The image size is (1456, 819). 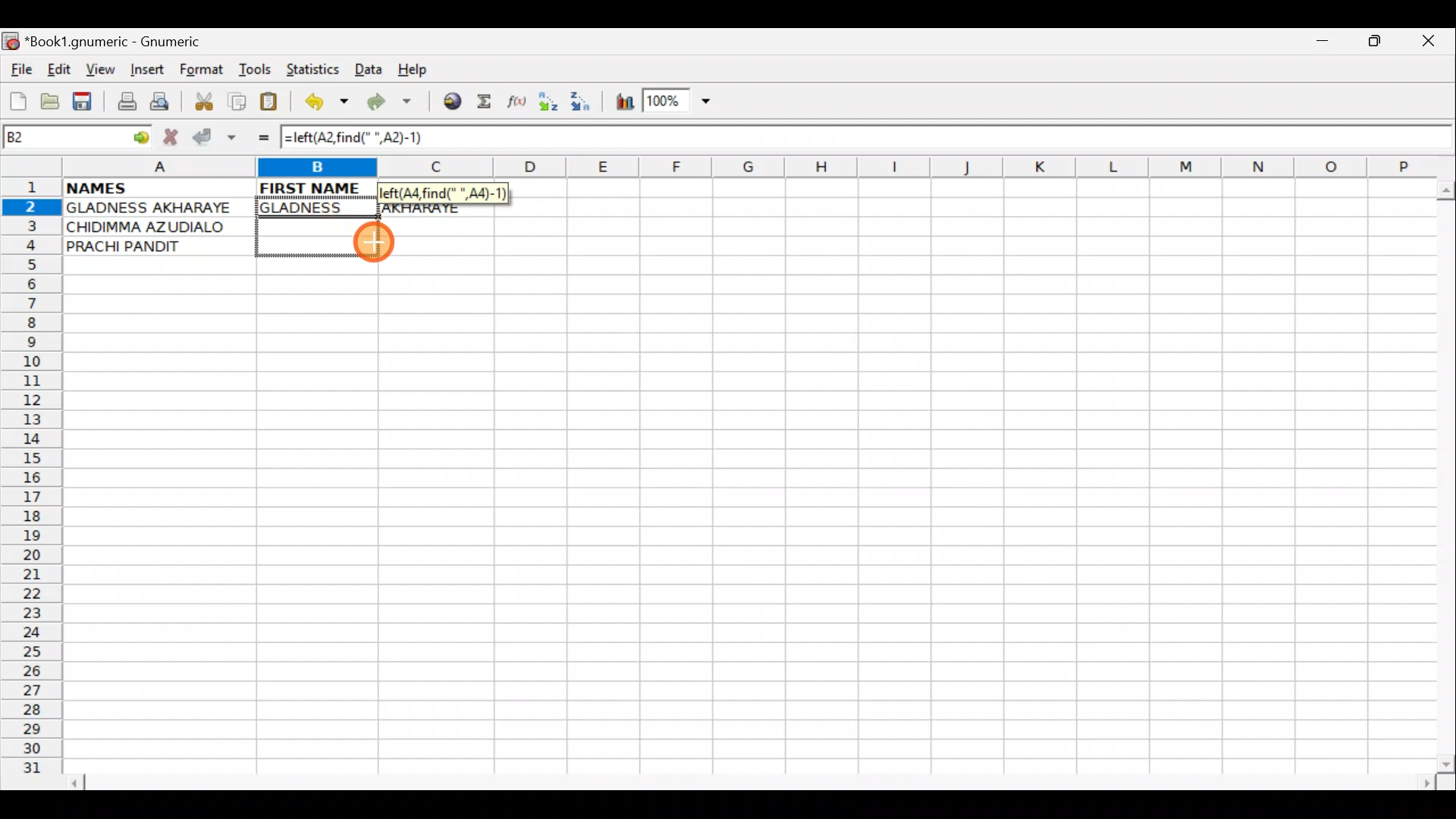 What do you see at coordinates (1377, 44) in the screenshot?
I see `Maximize` at bounding box center [1377, 44].